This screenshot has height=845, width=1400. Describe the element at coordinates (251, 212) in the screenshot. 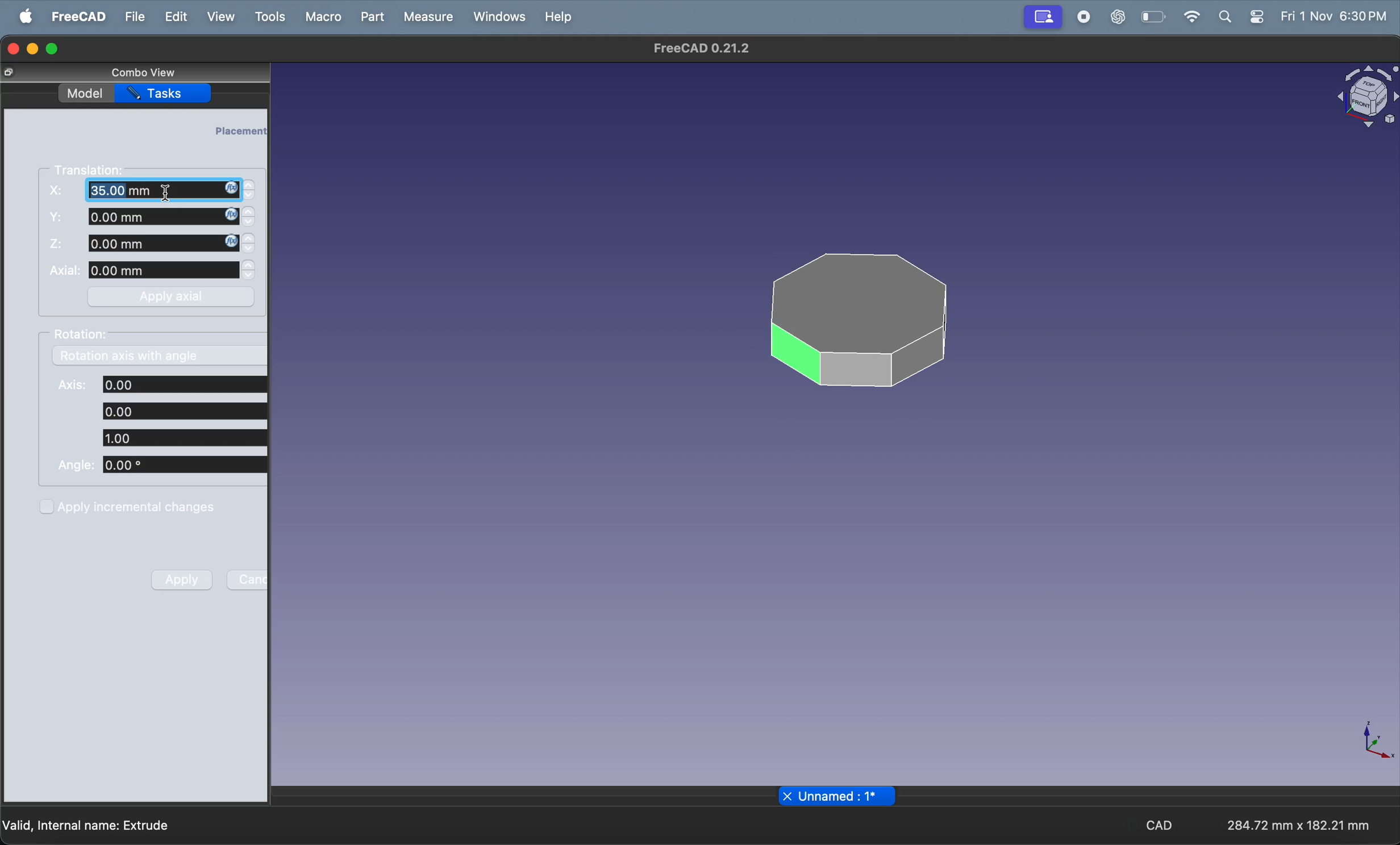

I see `up` at that location.